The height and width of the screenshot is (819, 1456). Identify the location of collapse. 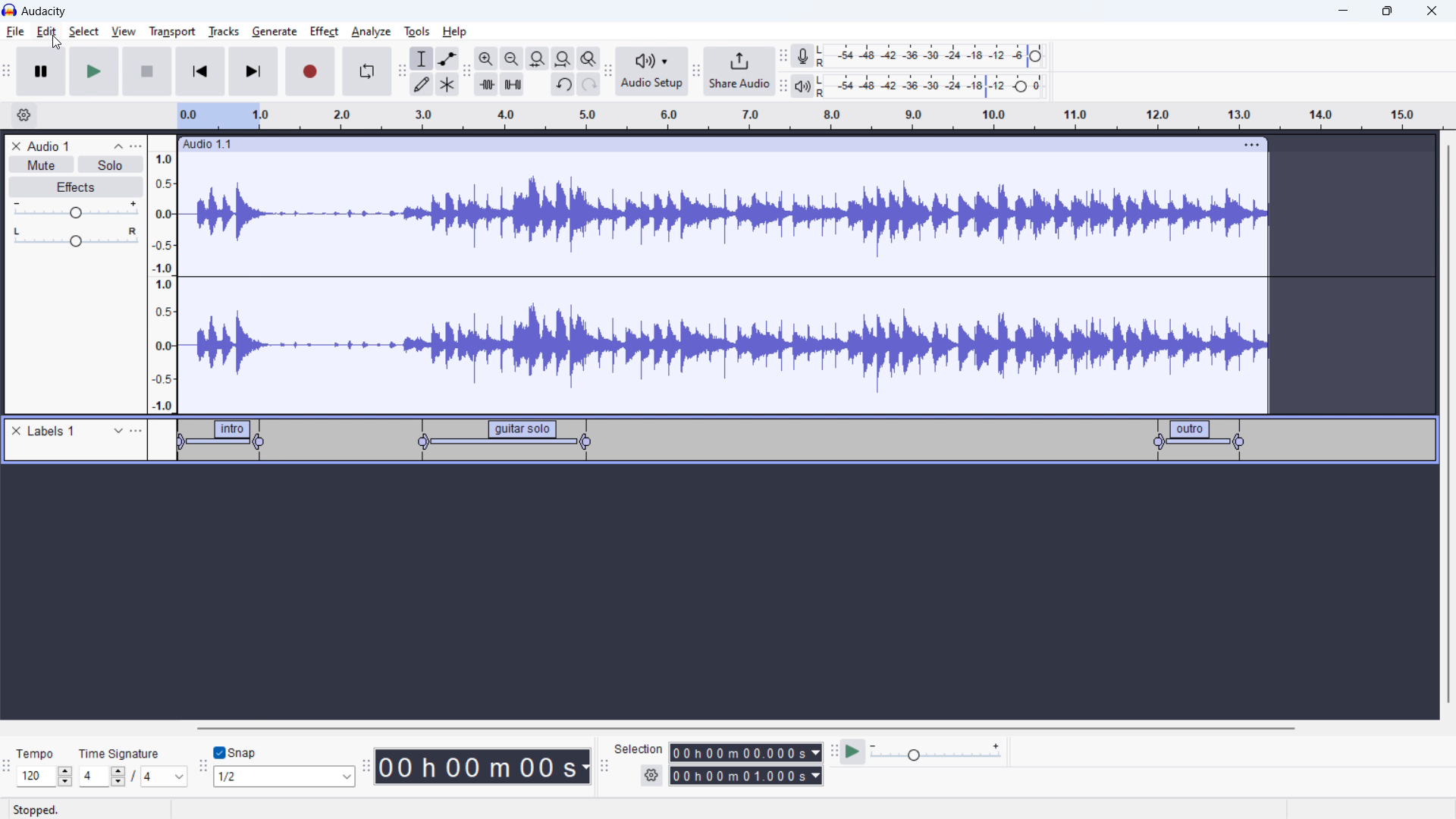
(118, 146).